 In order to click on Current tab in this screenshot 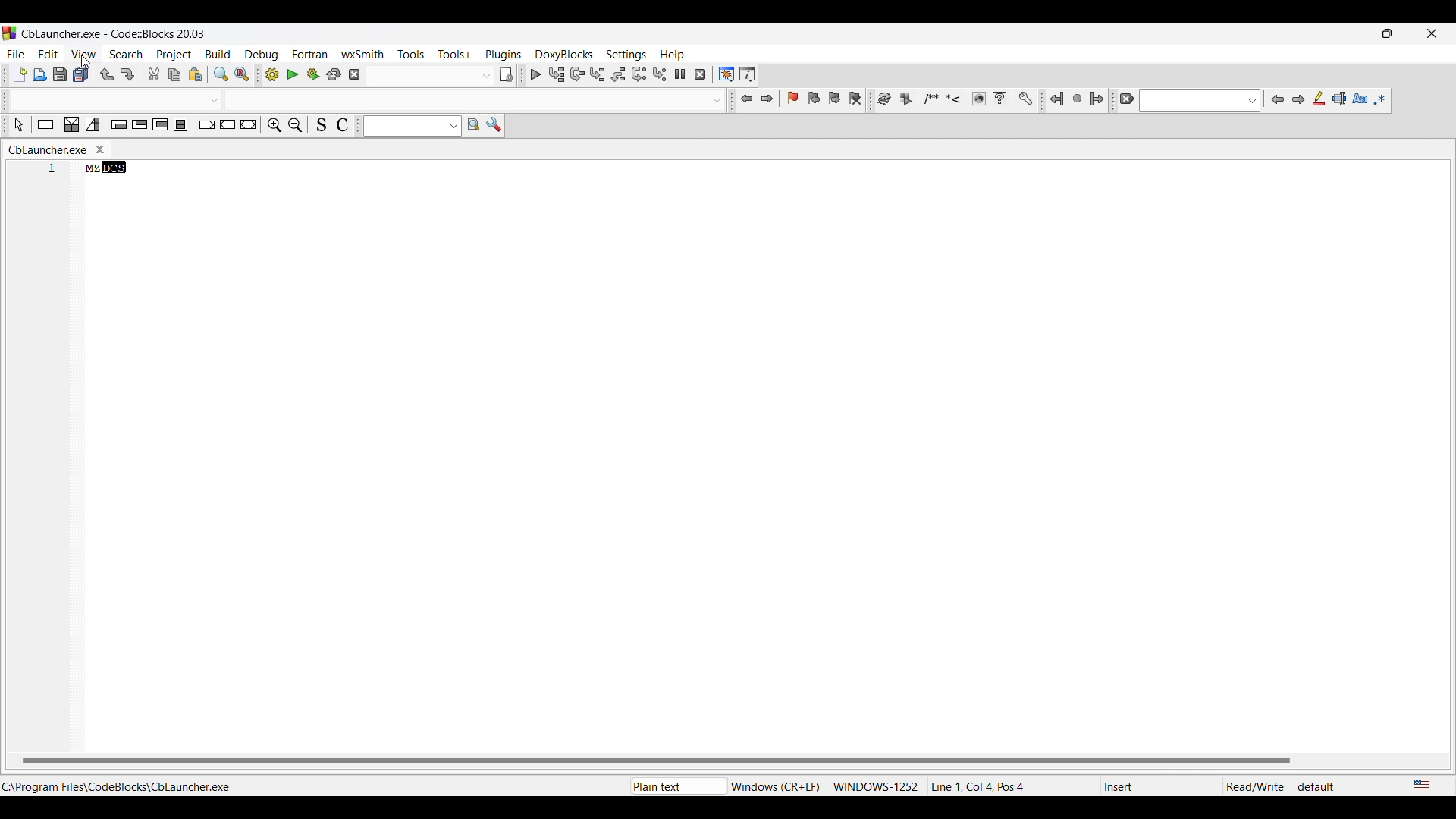, I will do `click(48, 149)`.